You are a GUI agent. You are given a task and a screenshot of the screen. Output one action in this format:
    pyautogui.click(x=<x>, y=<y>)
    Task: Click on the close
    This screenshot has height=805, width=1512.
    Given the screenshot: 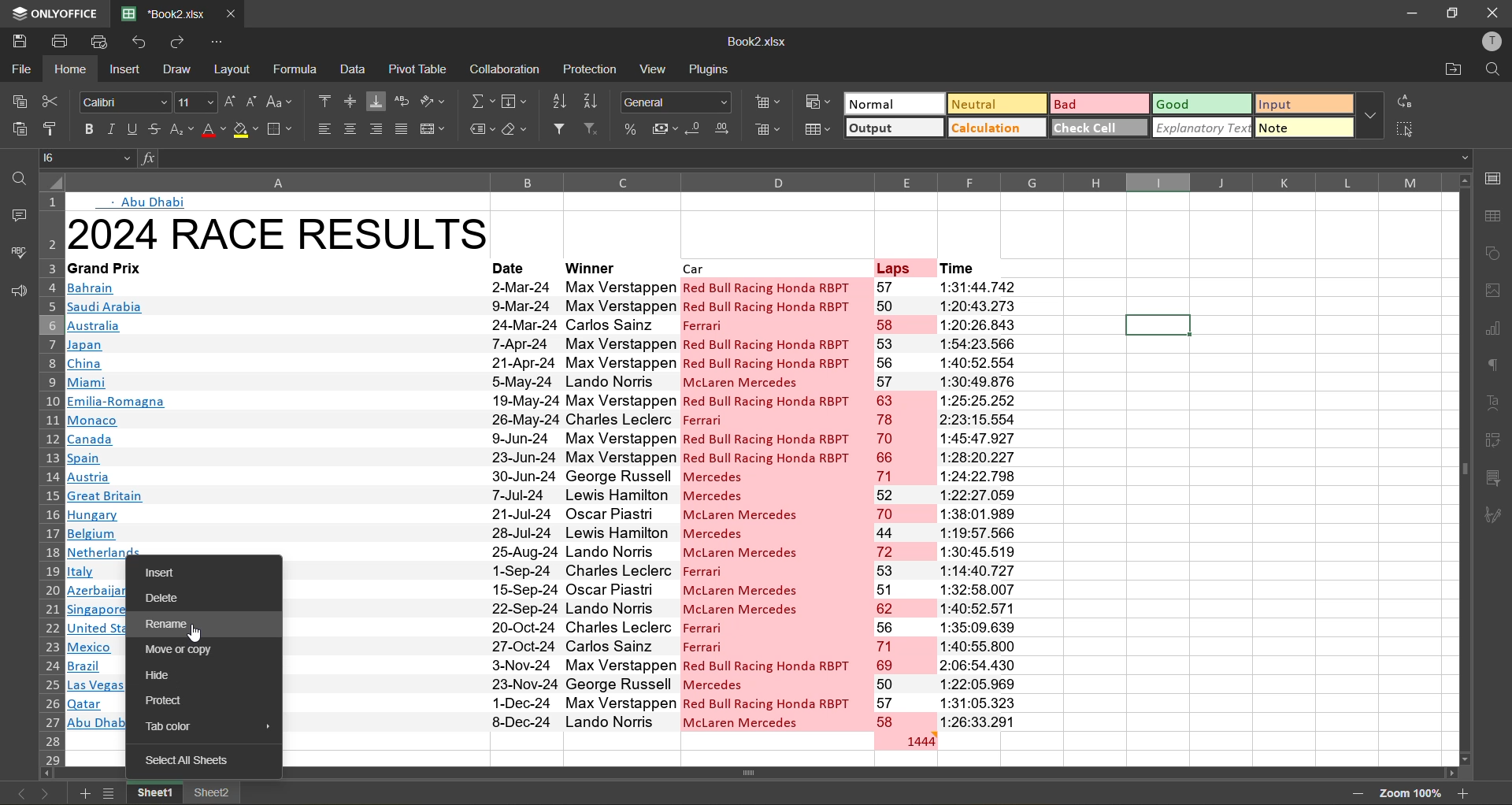 What is the action you would take?
    pyautogui.click(x=1493, y=14)
    